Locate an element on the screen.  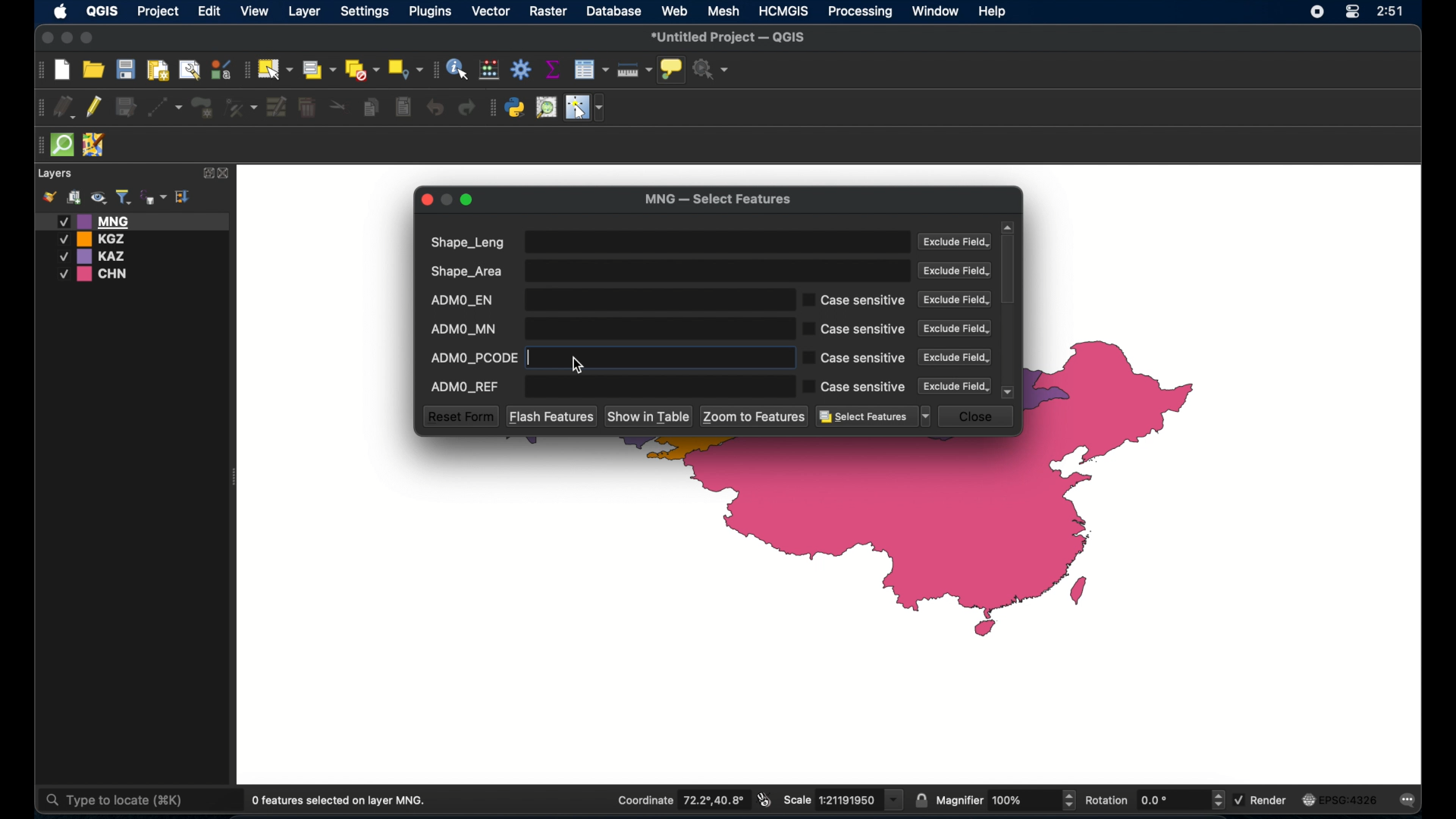
print layout is located at coordinates (157, 69).